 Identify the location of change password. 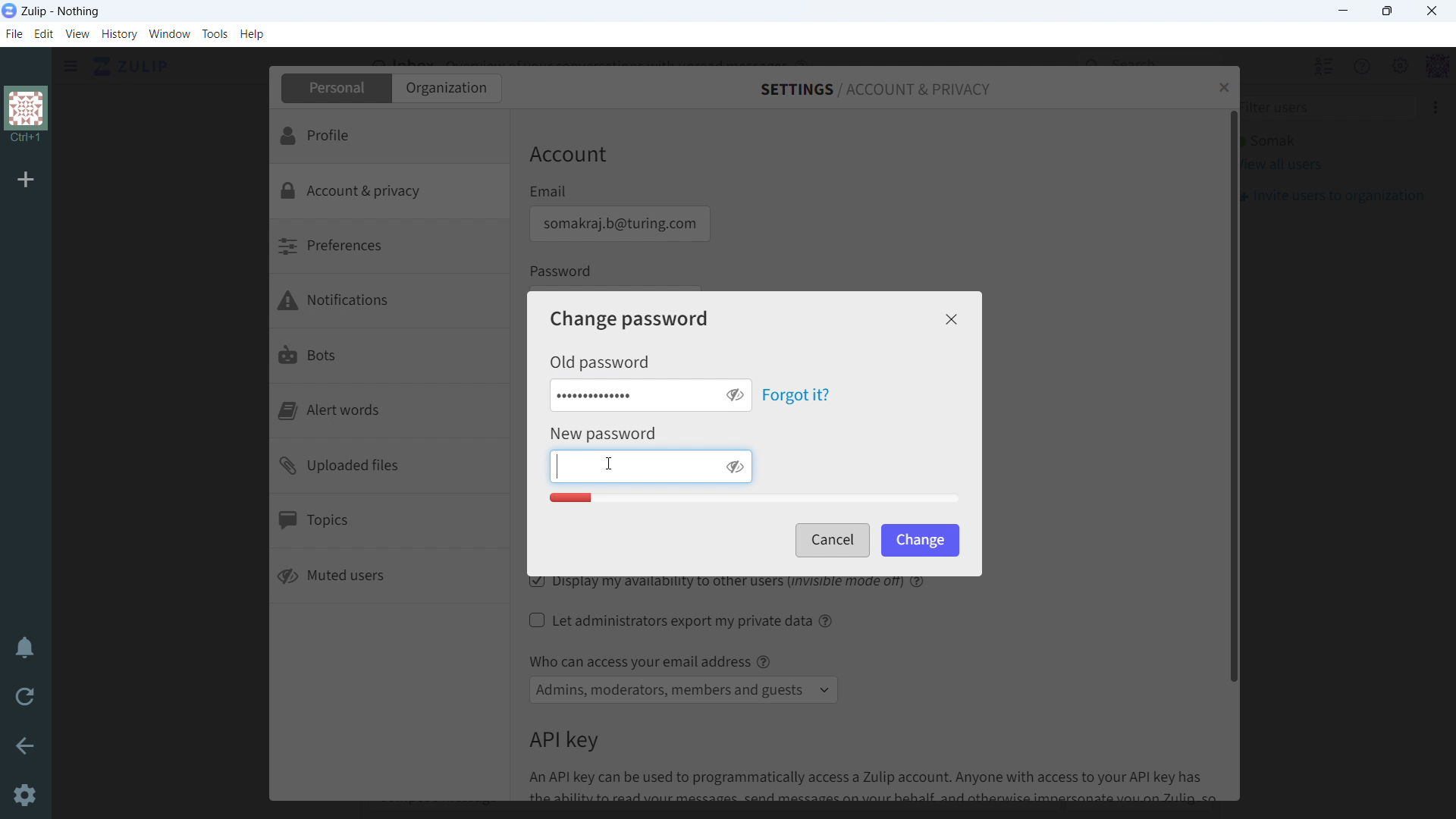
(630, 318).